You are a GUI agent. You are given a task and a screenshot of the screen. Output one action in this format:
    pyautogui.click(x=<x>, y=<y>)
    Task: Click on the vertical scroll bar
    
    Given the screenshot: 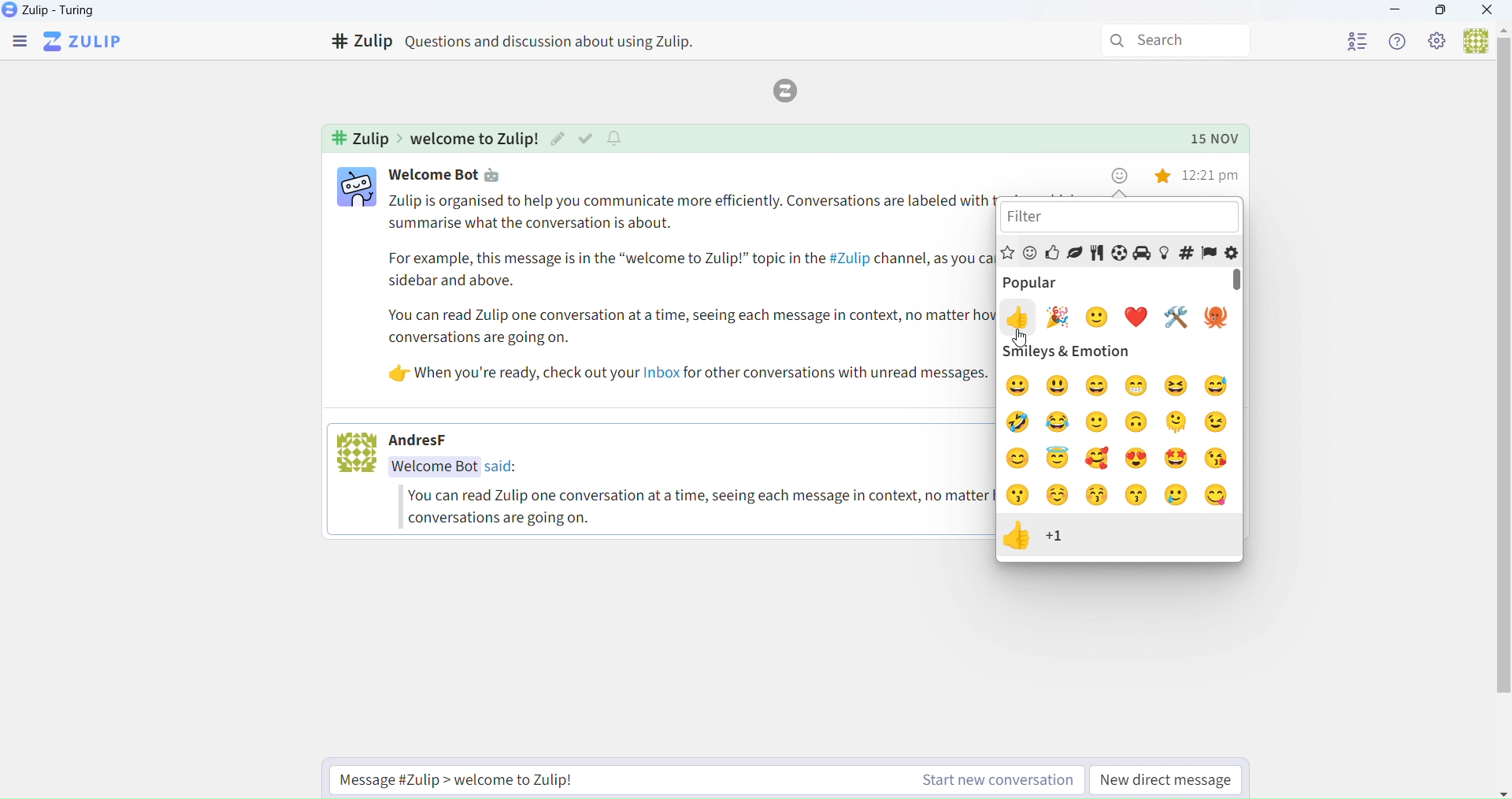 What is the action you would take?
    pyautogui.click(x=1502, y=370)
    